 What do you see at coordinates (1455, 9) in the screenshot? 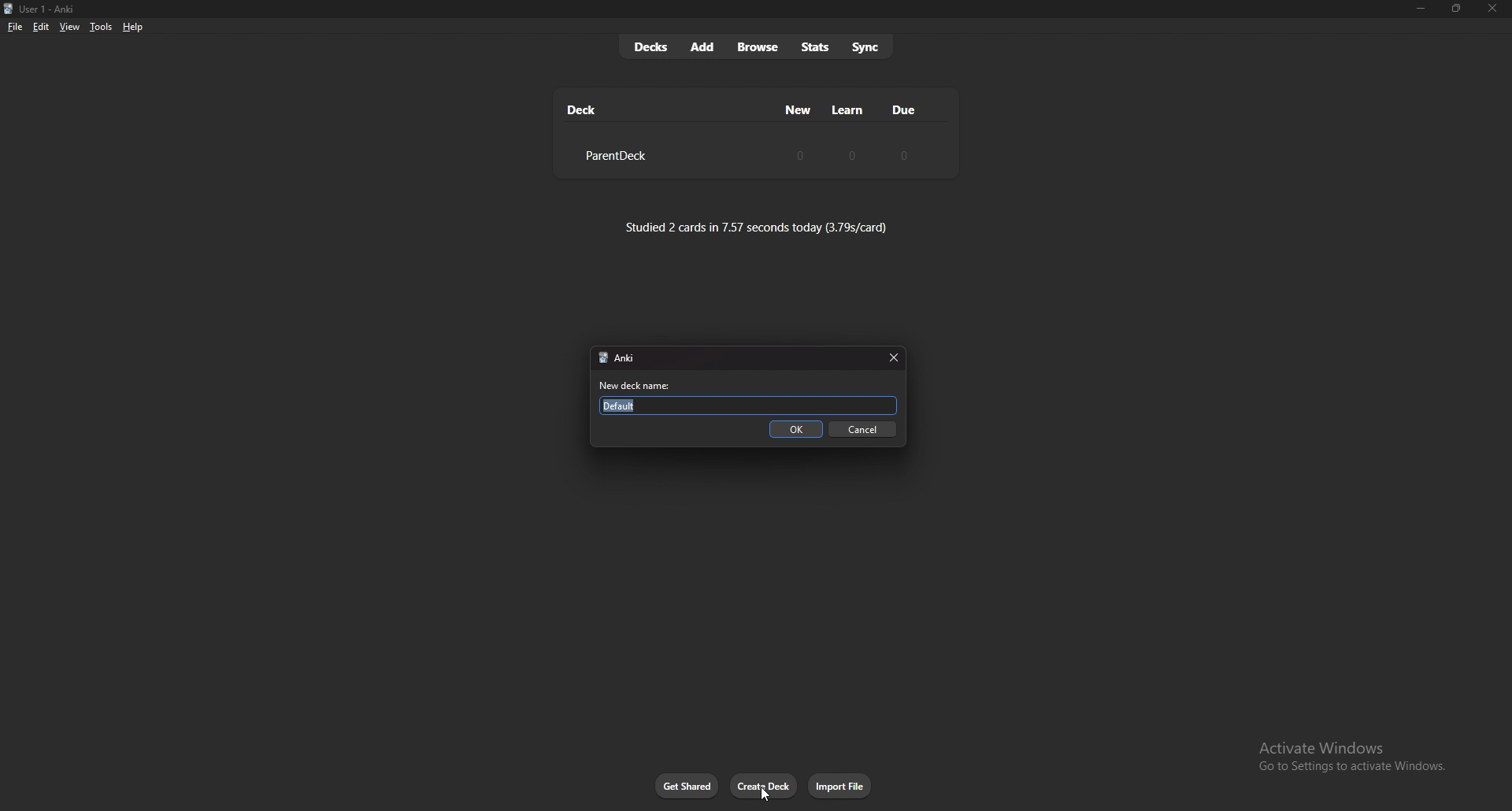
I see `Maximize/resize` at bounding box center [1455, 9].